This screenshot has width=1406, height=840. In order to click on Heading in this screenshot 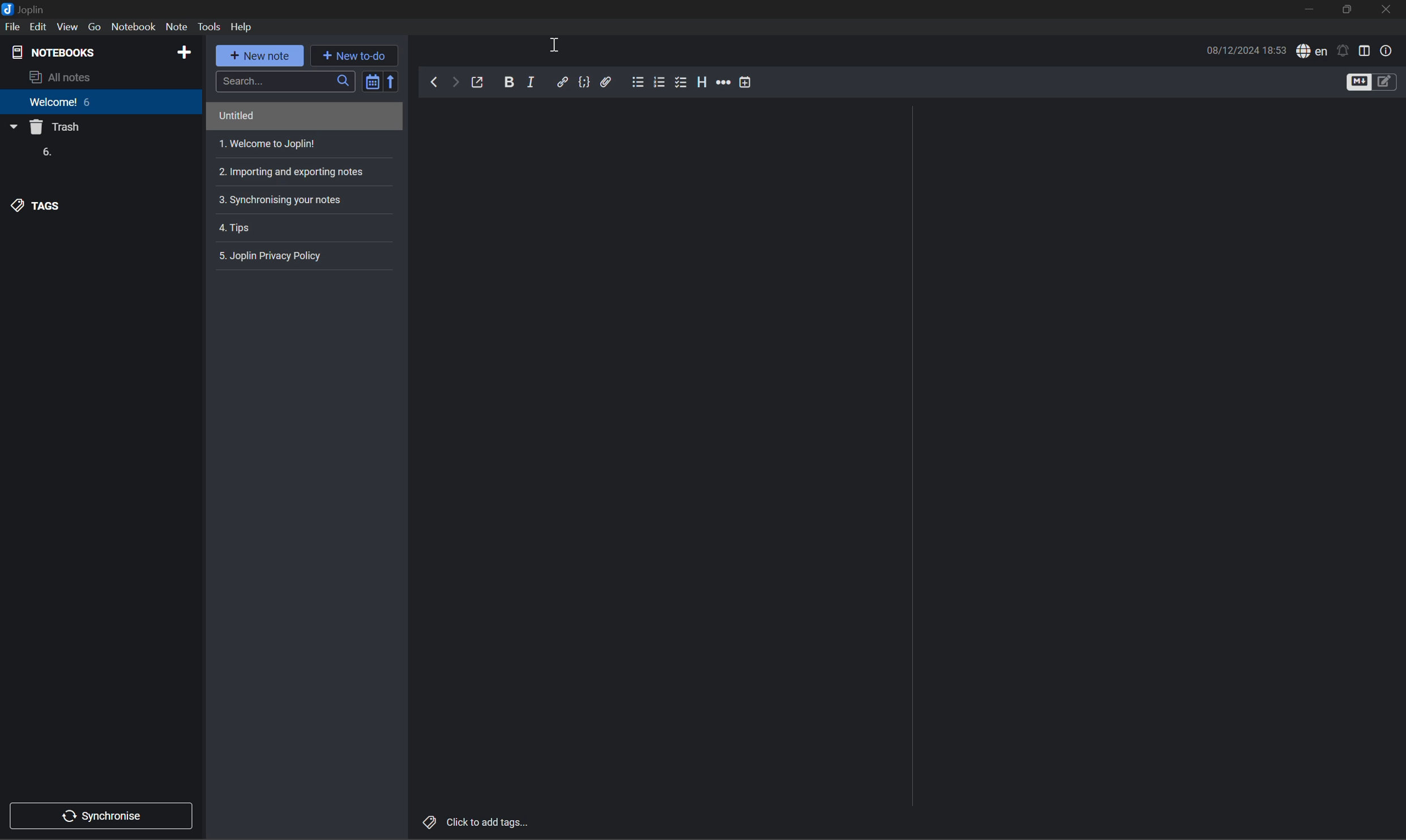, I will do `click(702, 82)`.